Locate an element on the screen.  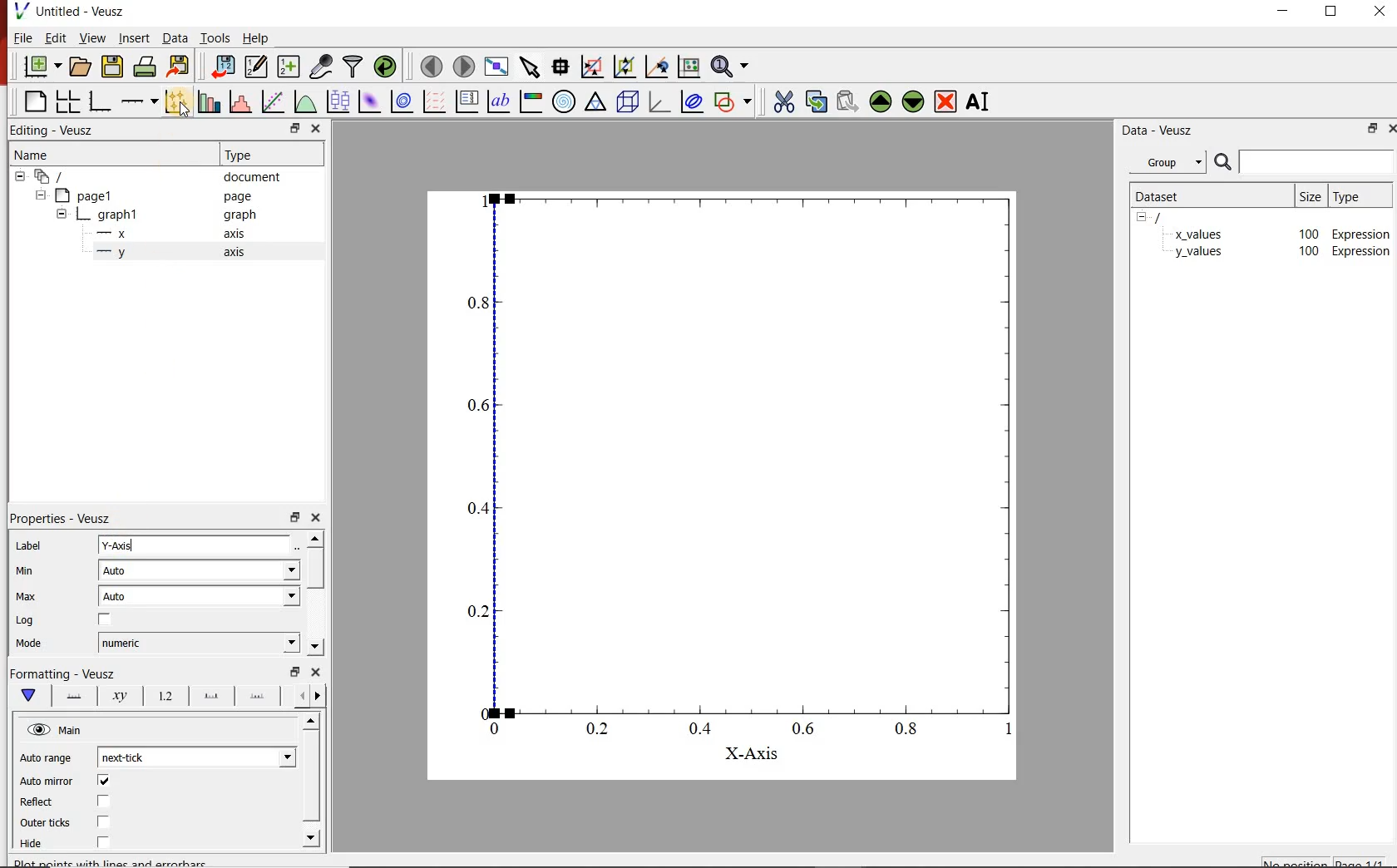
plot vector field is located at coordinates (434, 101).